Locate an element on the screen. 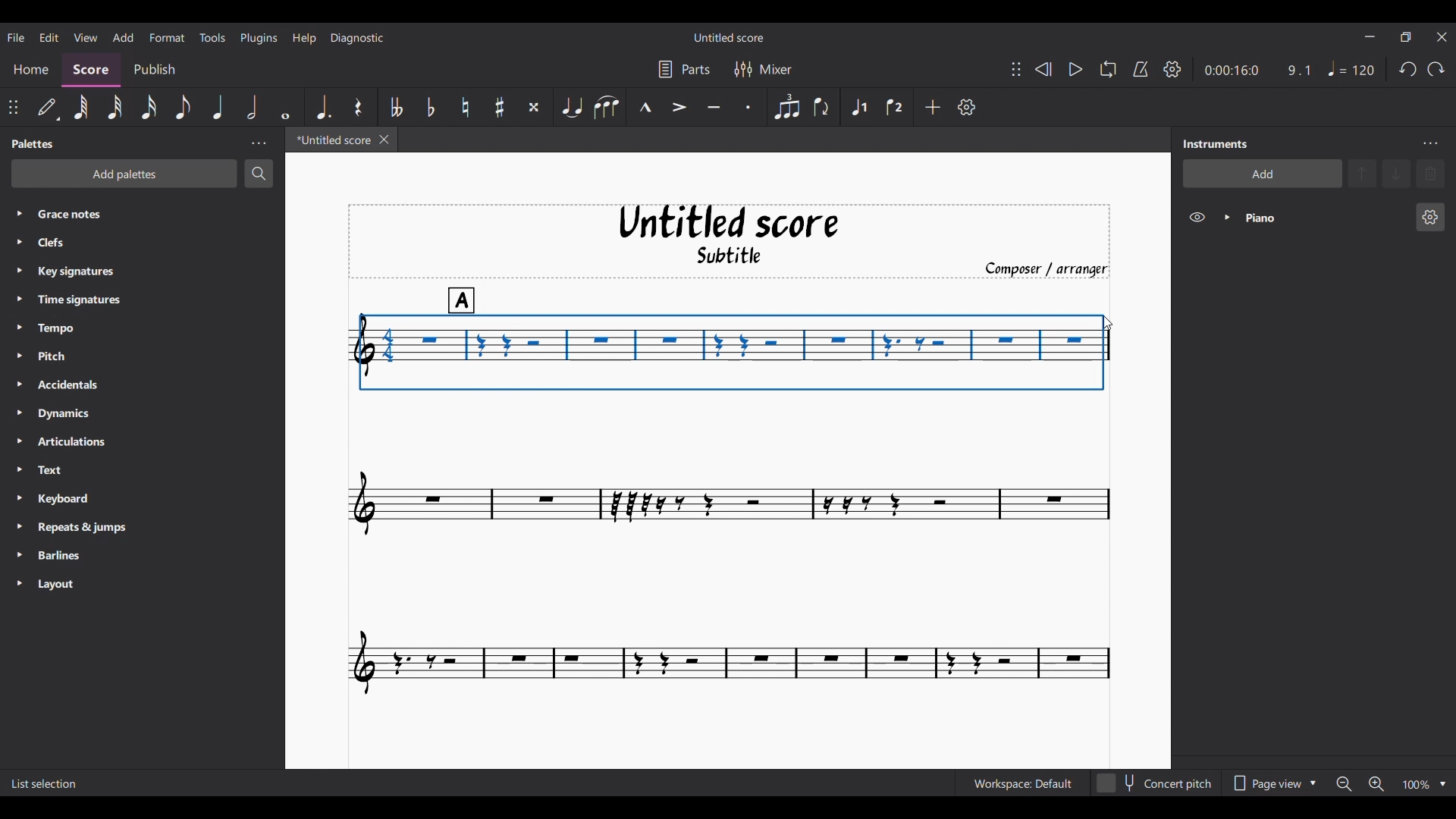  Layout is located at coordinates (79, 585).